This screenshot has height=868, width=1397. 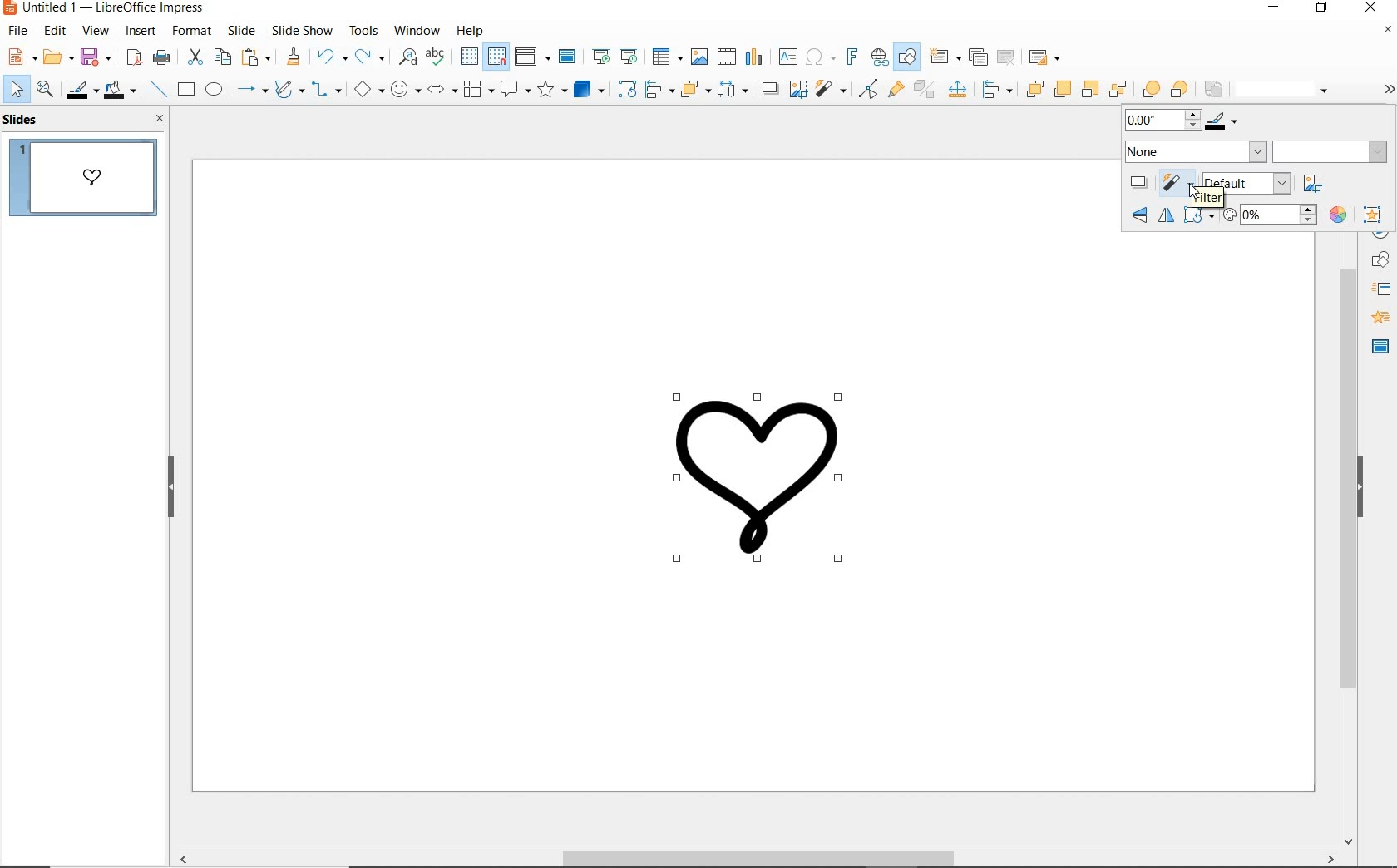 What do you see at coordinates (1345, 480) in the screenshot?
I see `Scroll` at bounding box center [1345, 480].